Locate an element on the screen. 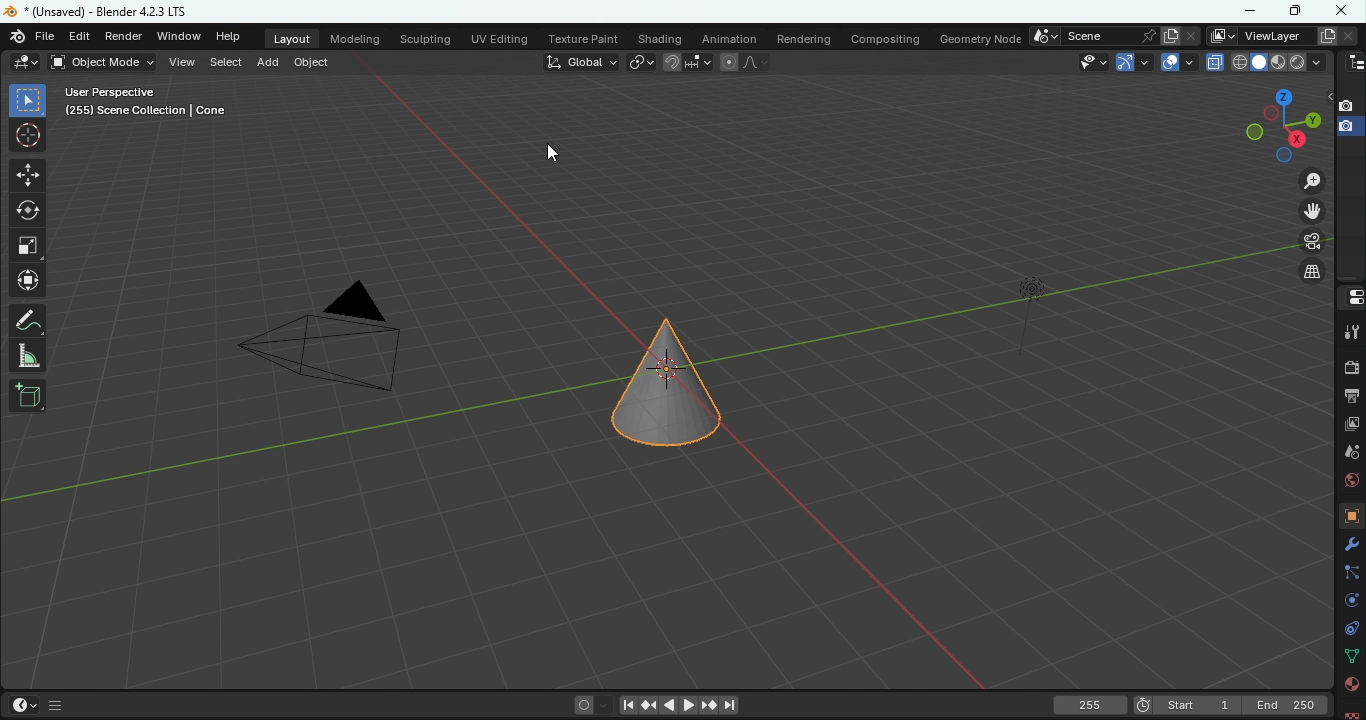  Modifiers is located at coordinates (1350, 544).